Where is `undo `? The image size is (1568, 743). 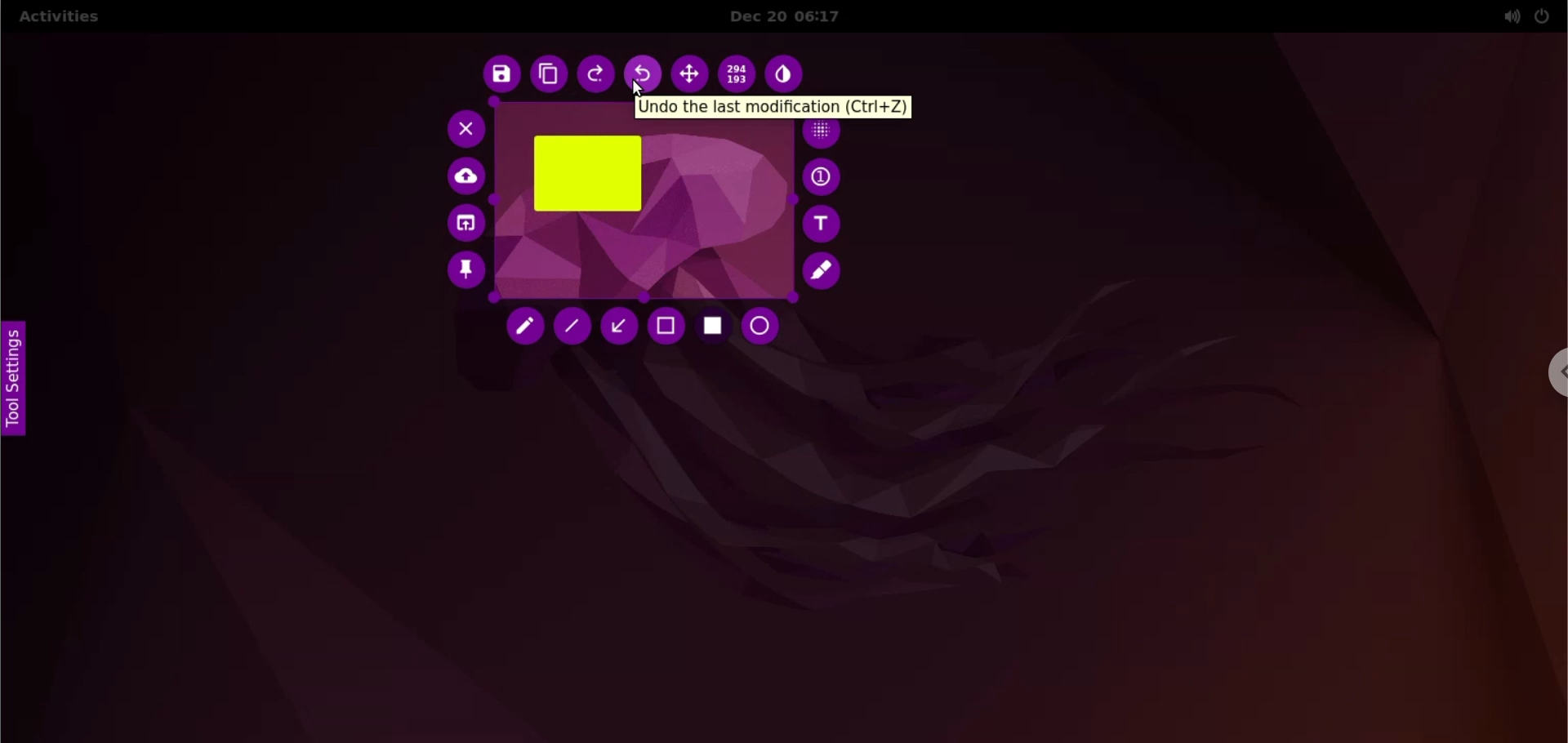
undo  is located at coordinates (644, 75).